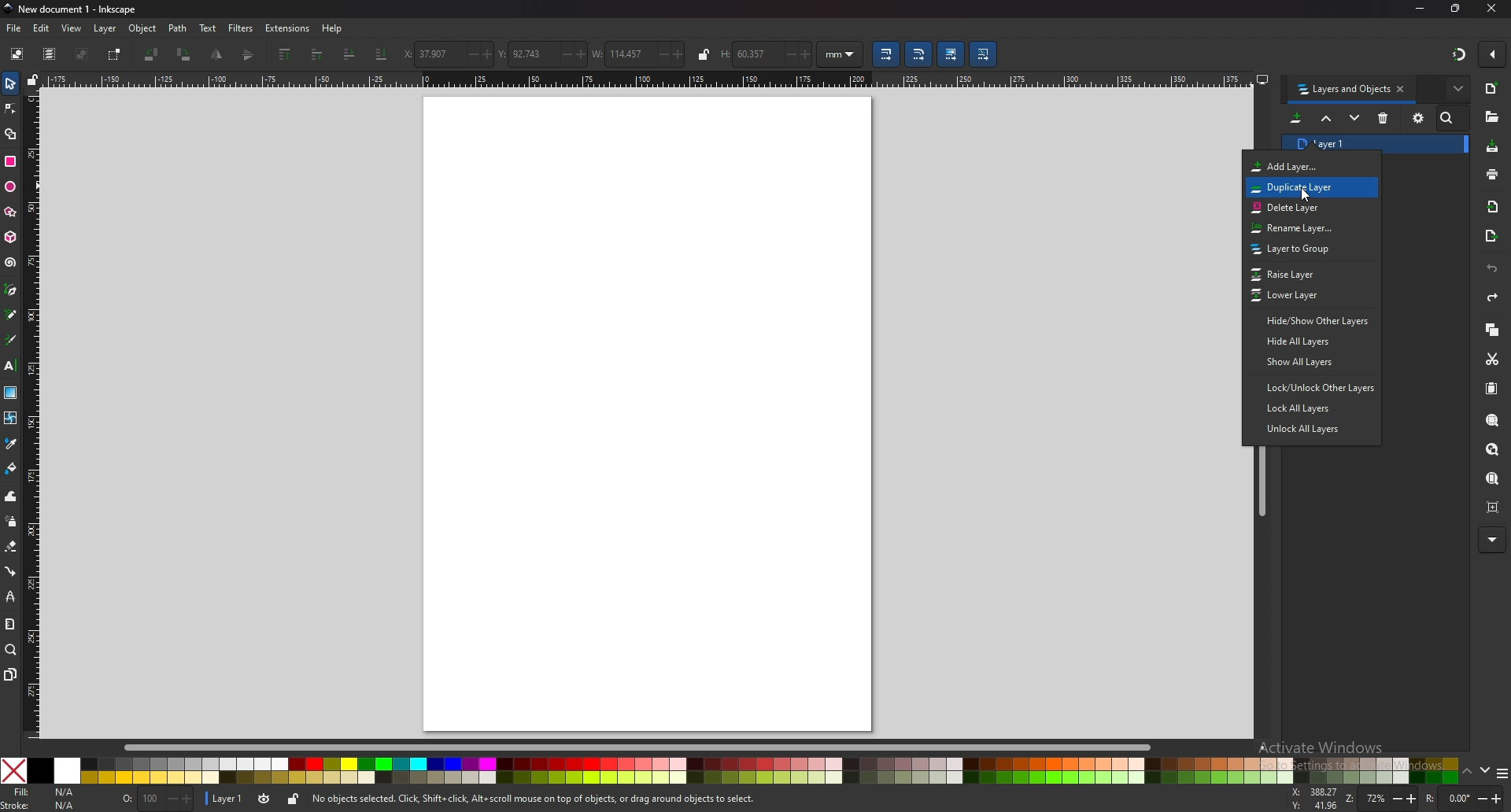  What do you see at coordinates (1263, 482) in the screenshot?
I see `scroll bar` at bounding box center [1263, 482].